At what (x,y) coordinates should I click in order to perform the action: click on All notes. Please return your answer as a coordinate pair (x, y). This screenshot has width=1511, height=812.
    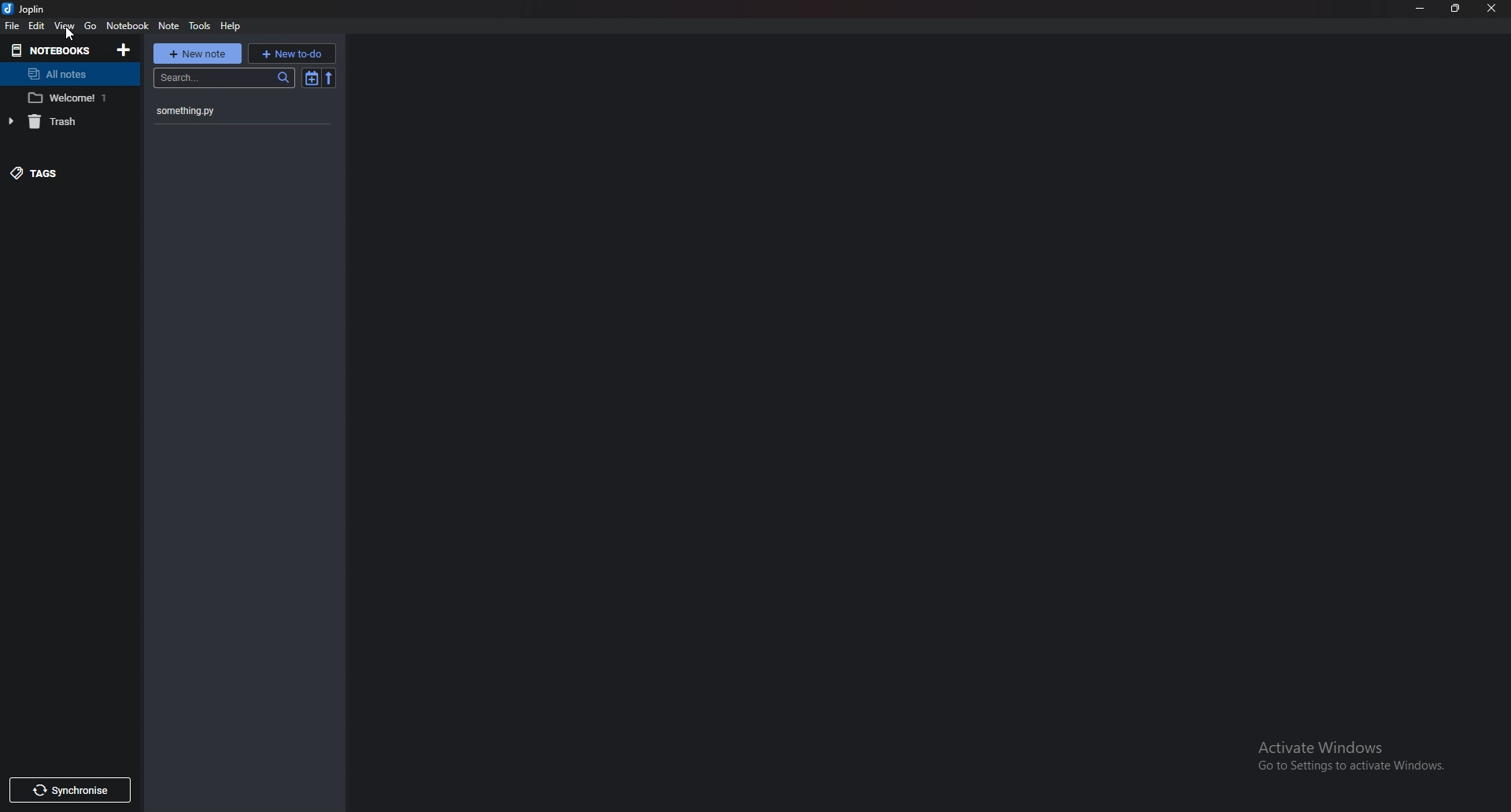
    Looking at the image, I should click on (68, 74).